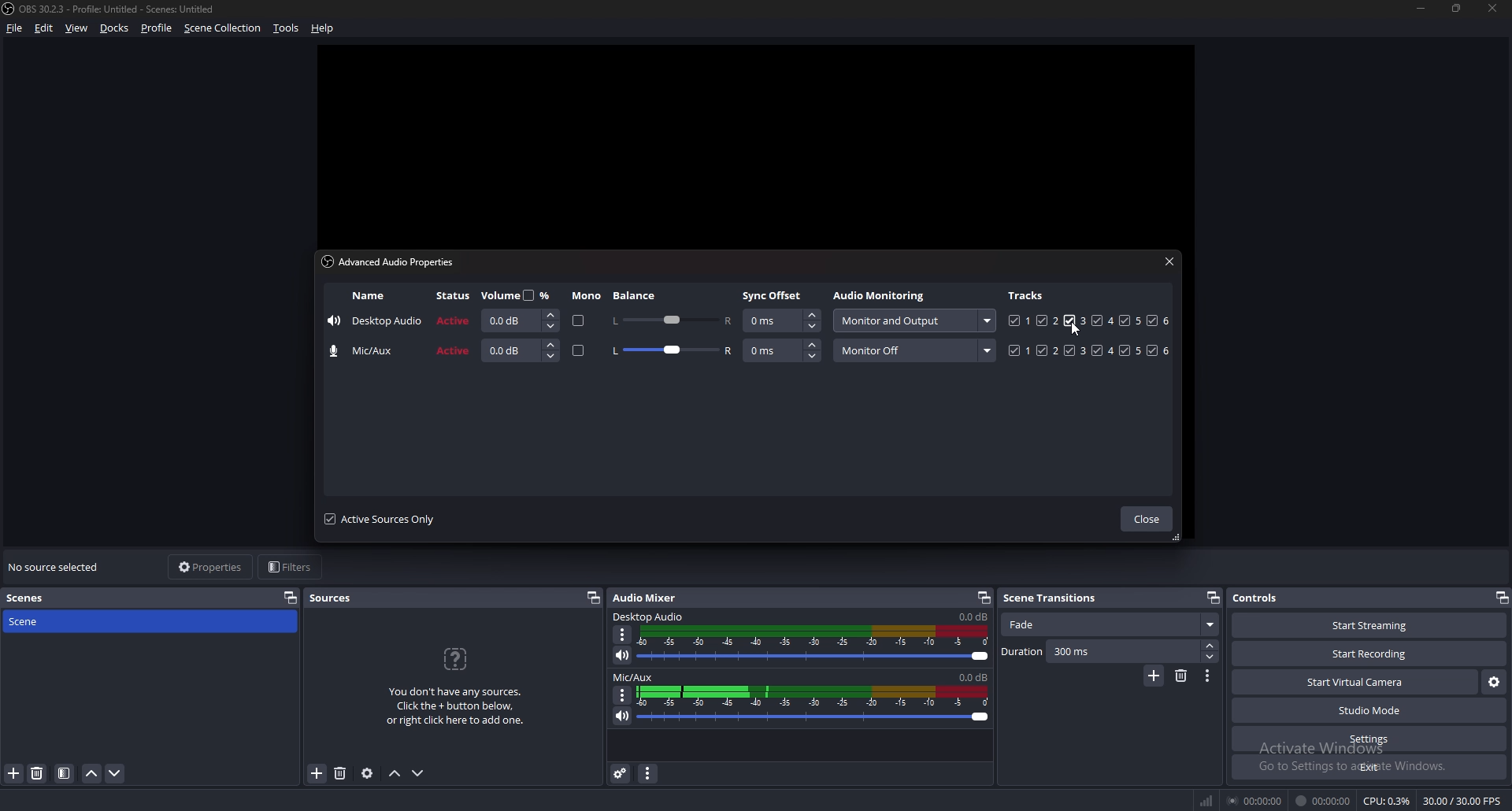 The height and width of the screenshot is (811, 1512). What do you see at coordinates (1212, 598) in the screenshot?
I see `pop out` at bounding box center [1212, 598].